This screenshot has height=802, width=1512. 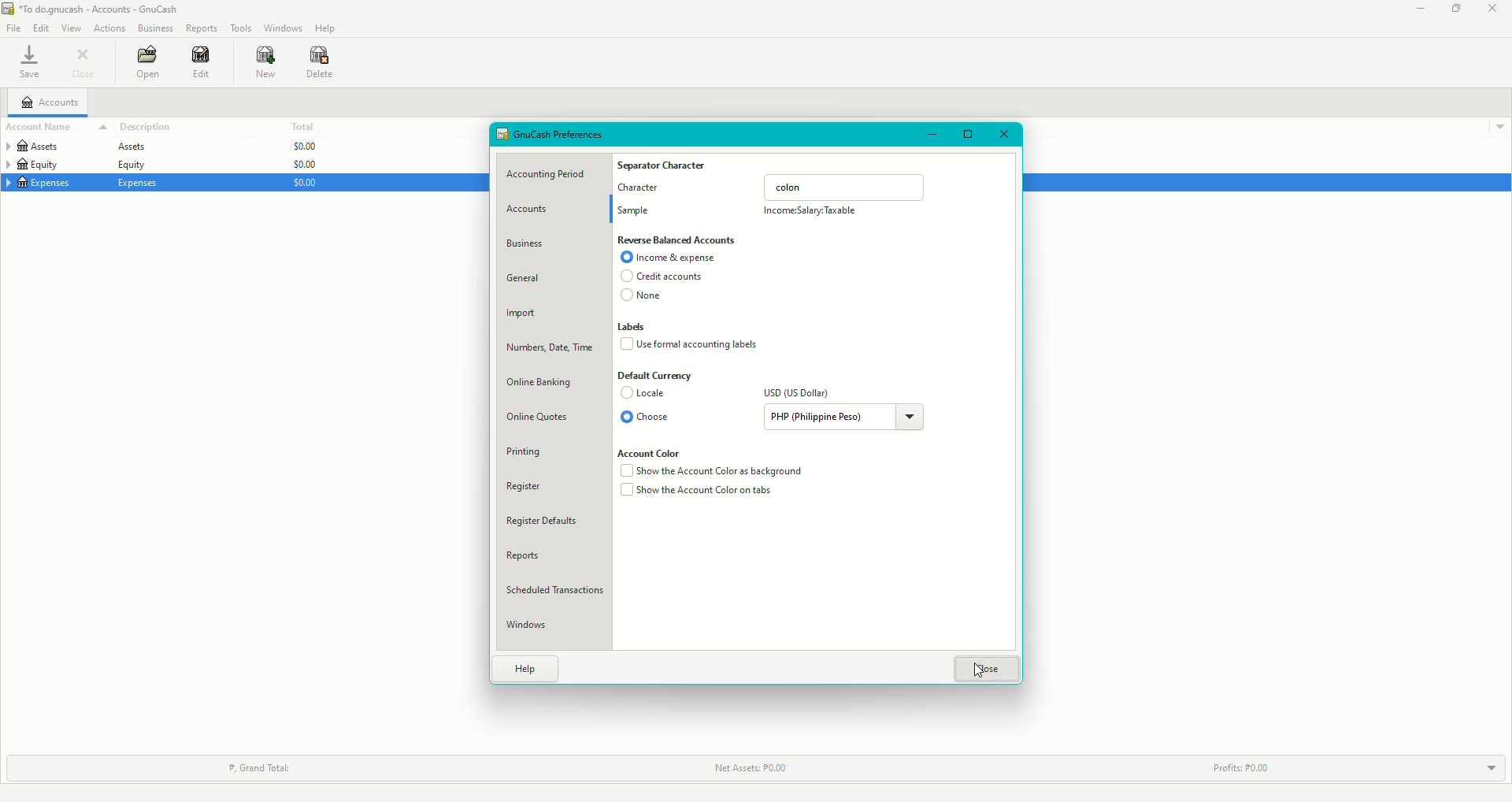 What do you see at coordinates (1236, 769) in the screenshot?
I see `Profits` at bounding box center [1236, 769].